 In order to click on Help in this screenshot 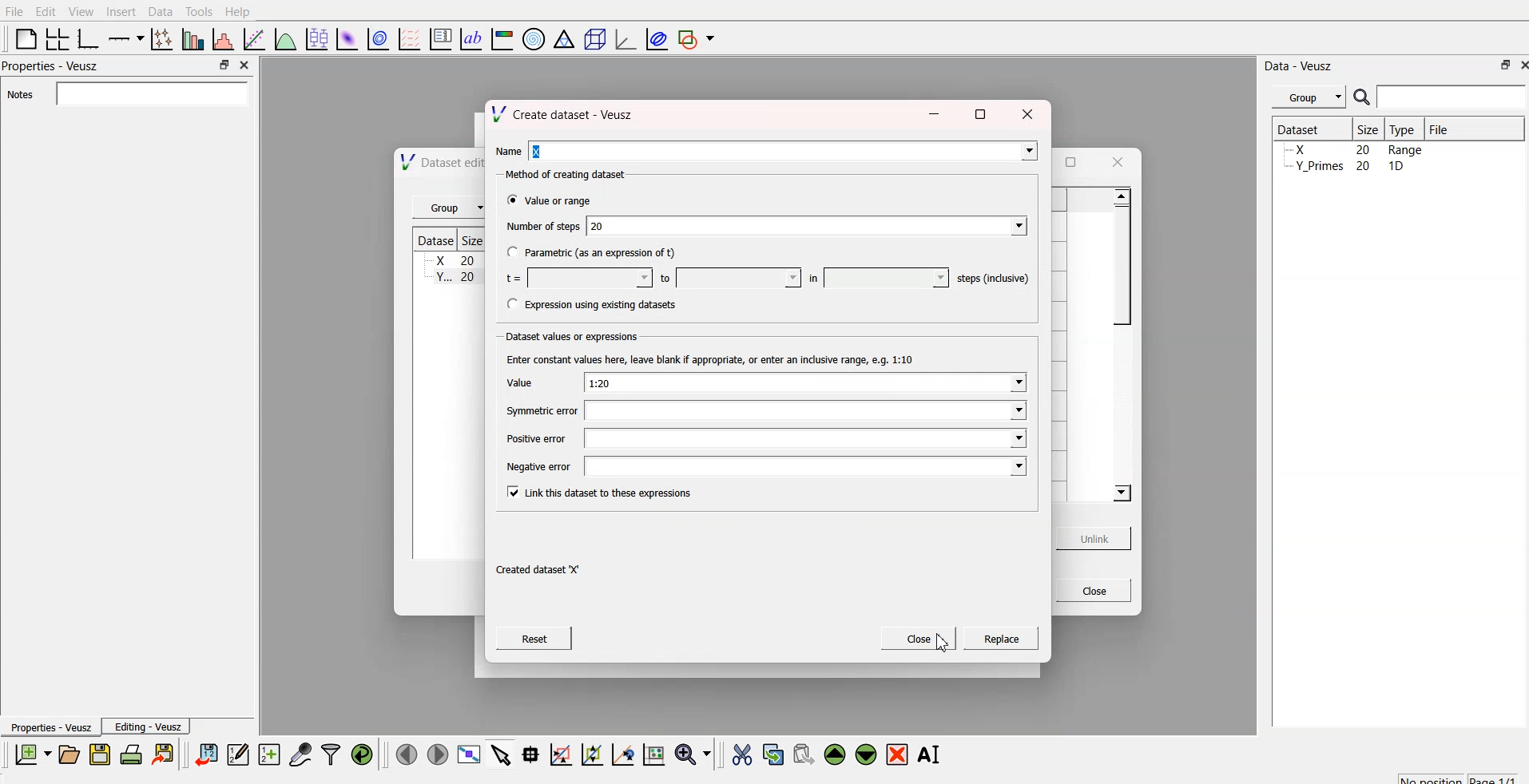, I will do `click(241, 11)`.